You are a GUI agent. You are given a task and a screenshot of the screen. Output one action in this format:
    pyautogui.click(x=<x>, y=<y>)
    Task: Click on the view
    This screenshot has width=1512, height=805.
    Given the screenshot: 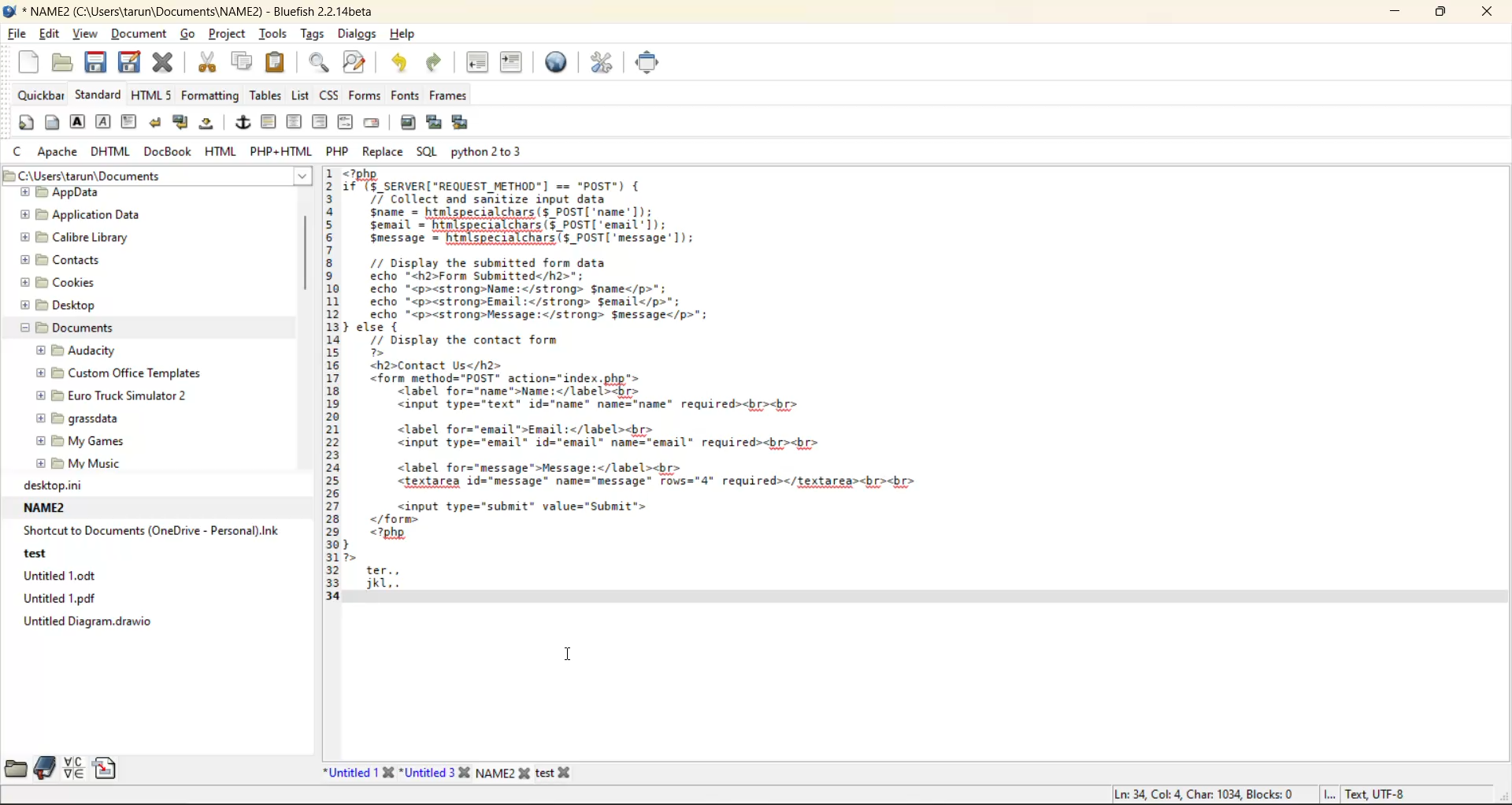 What is the action you would take?
    pyautogui.click(x=86, y=35)
    